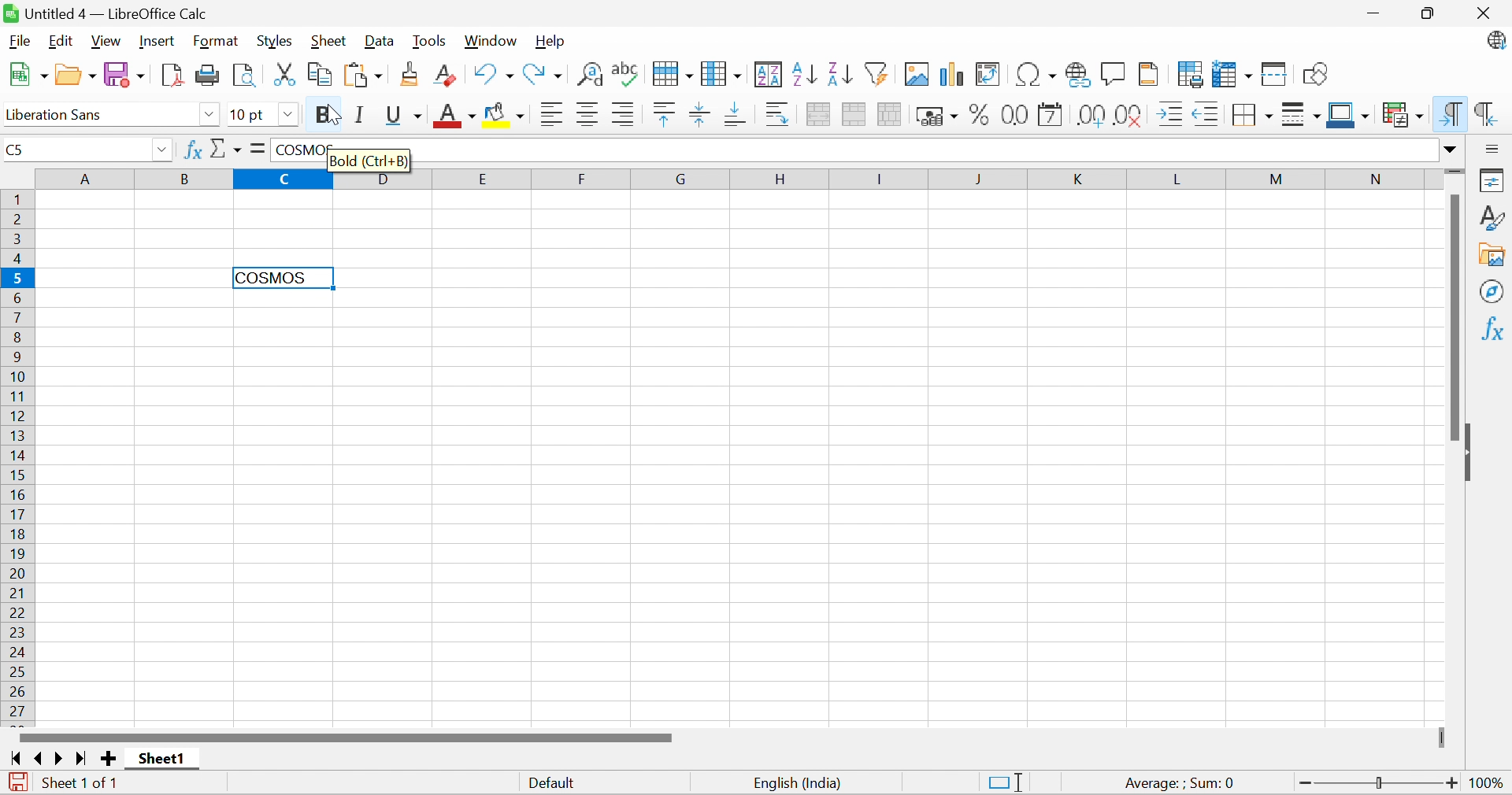  What do you see at coordinates (623, 71) in the screenshot?
I see `Spelling` at bounding box center [623, 71].